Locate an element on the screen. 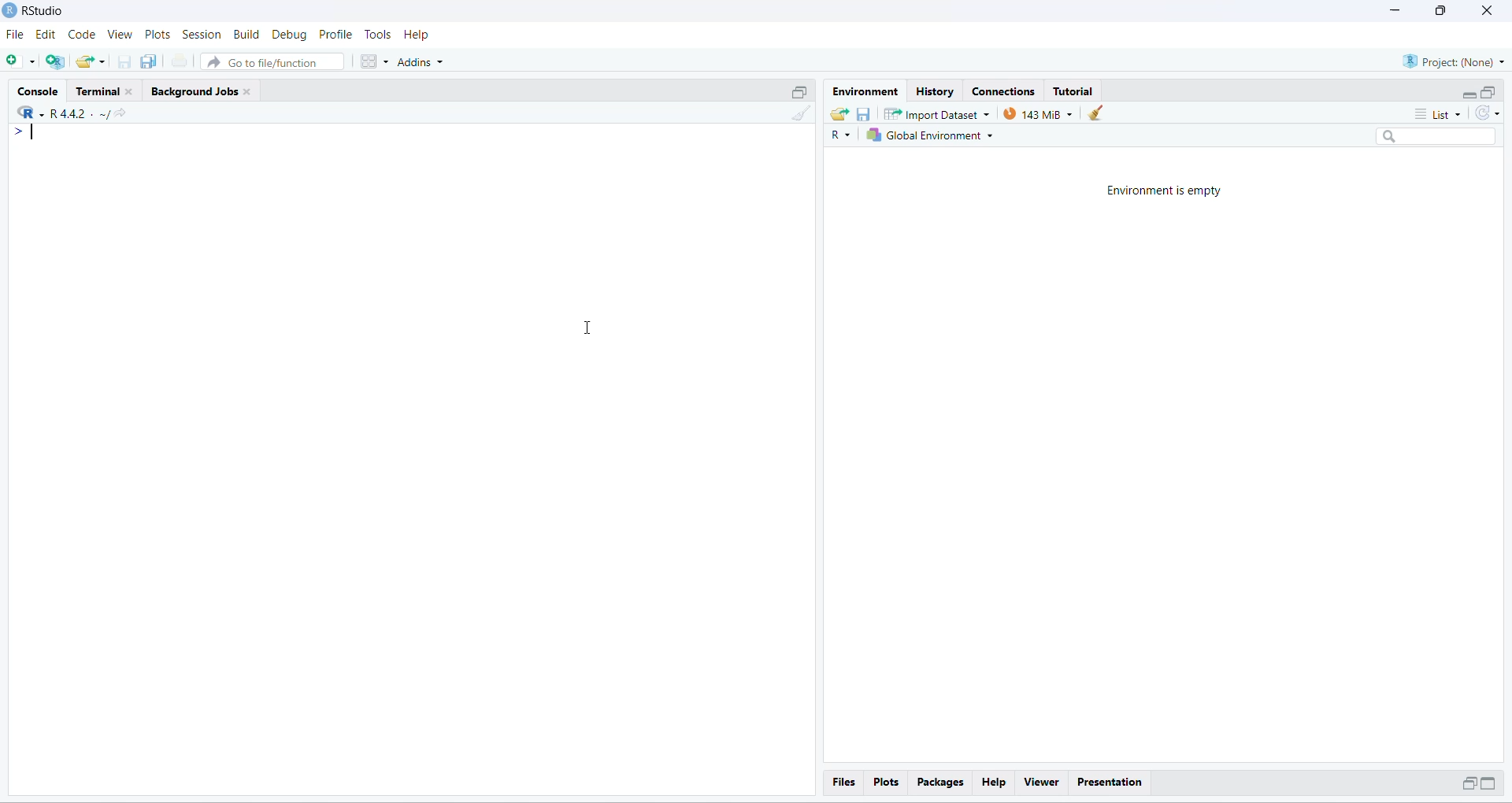  tools is located at coordinates (380, 34).